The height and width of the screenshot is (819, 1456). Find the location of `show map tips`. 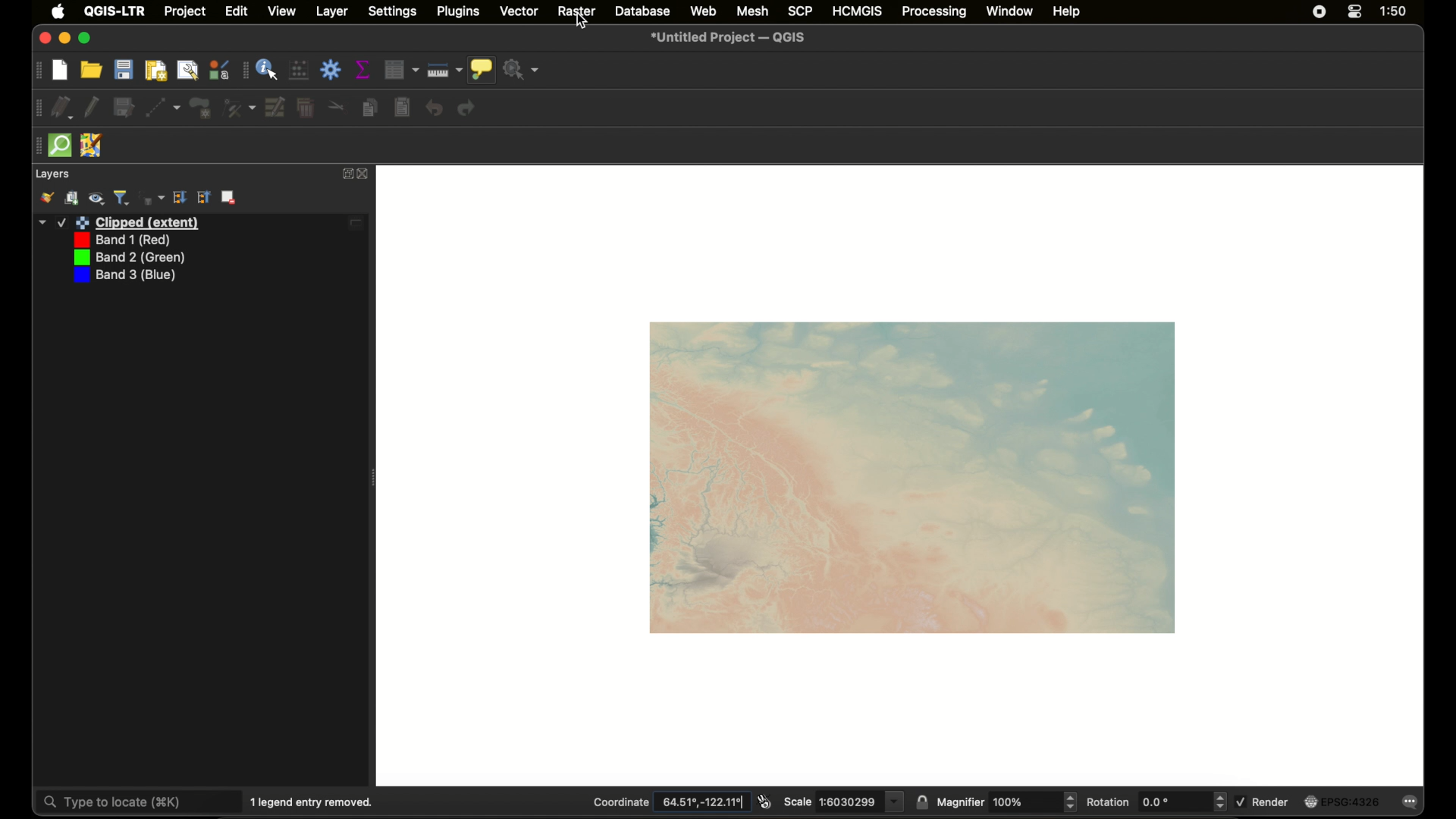

show map tips is located at coordinates (482, 70).